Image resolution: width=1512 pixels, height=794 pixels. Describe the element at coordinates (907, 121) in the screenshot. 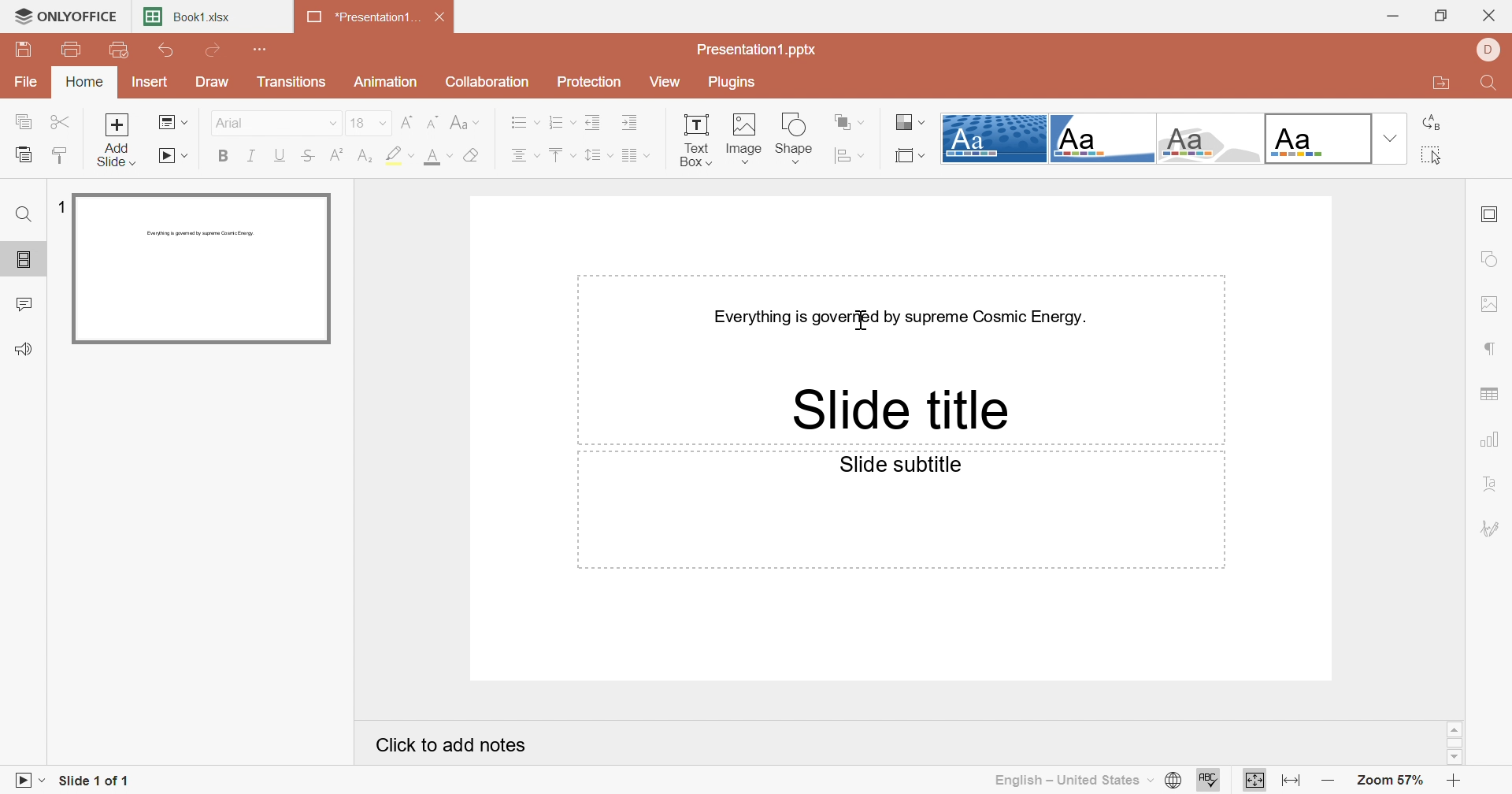

I see `Change color theme` at that location.